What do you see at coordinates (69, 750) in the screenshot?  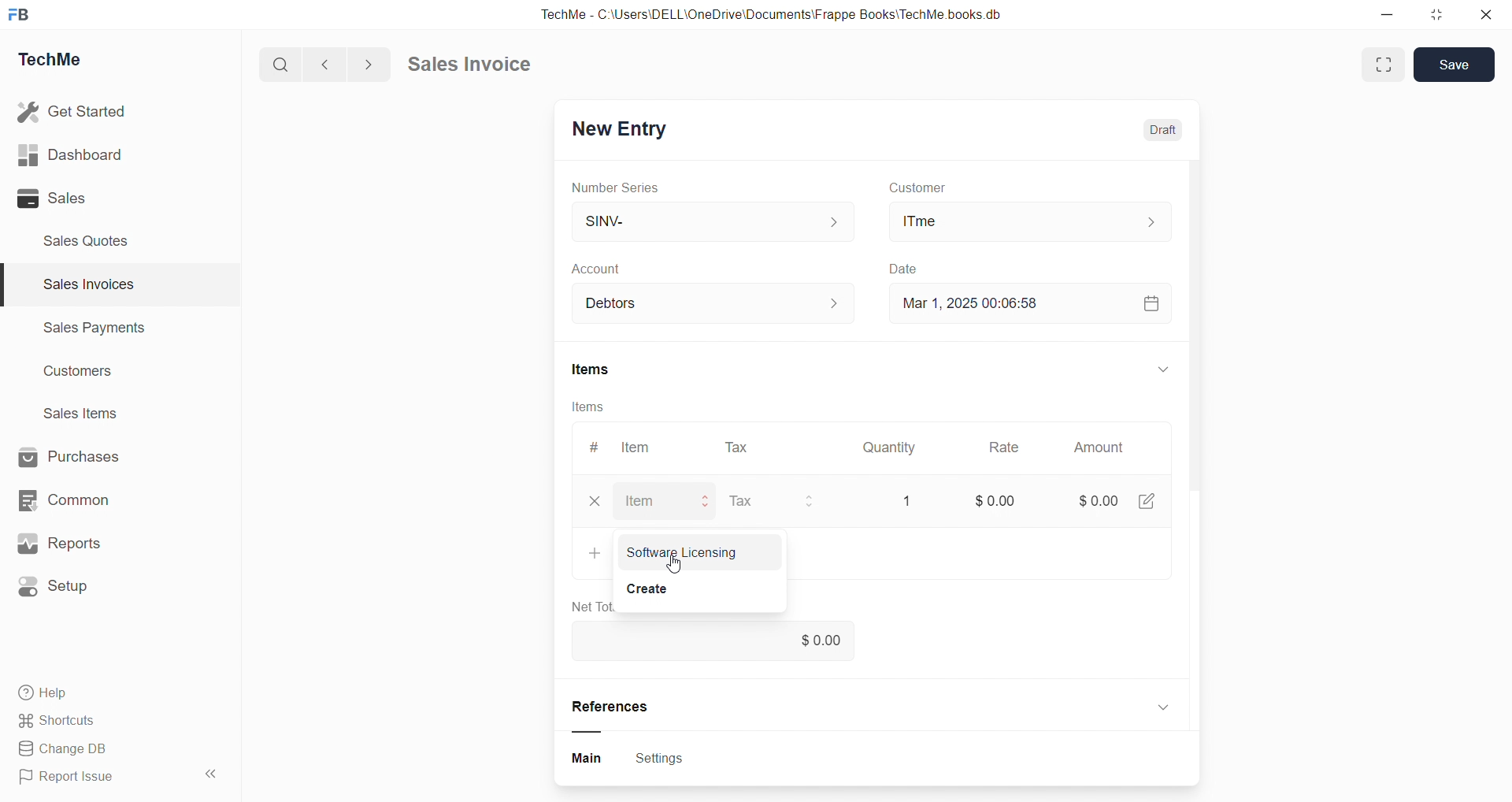 I see `B& Change DB` at bounding box center [69, 750].